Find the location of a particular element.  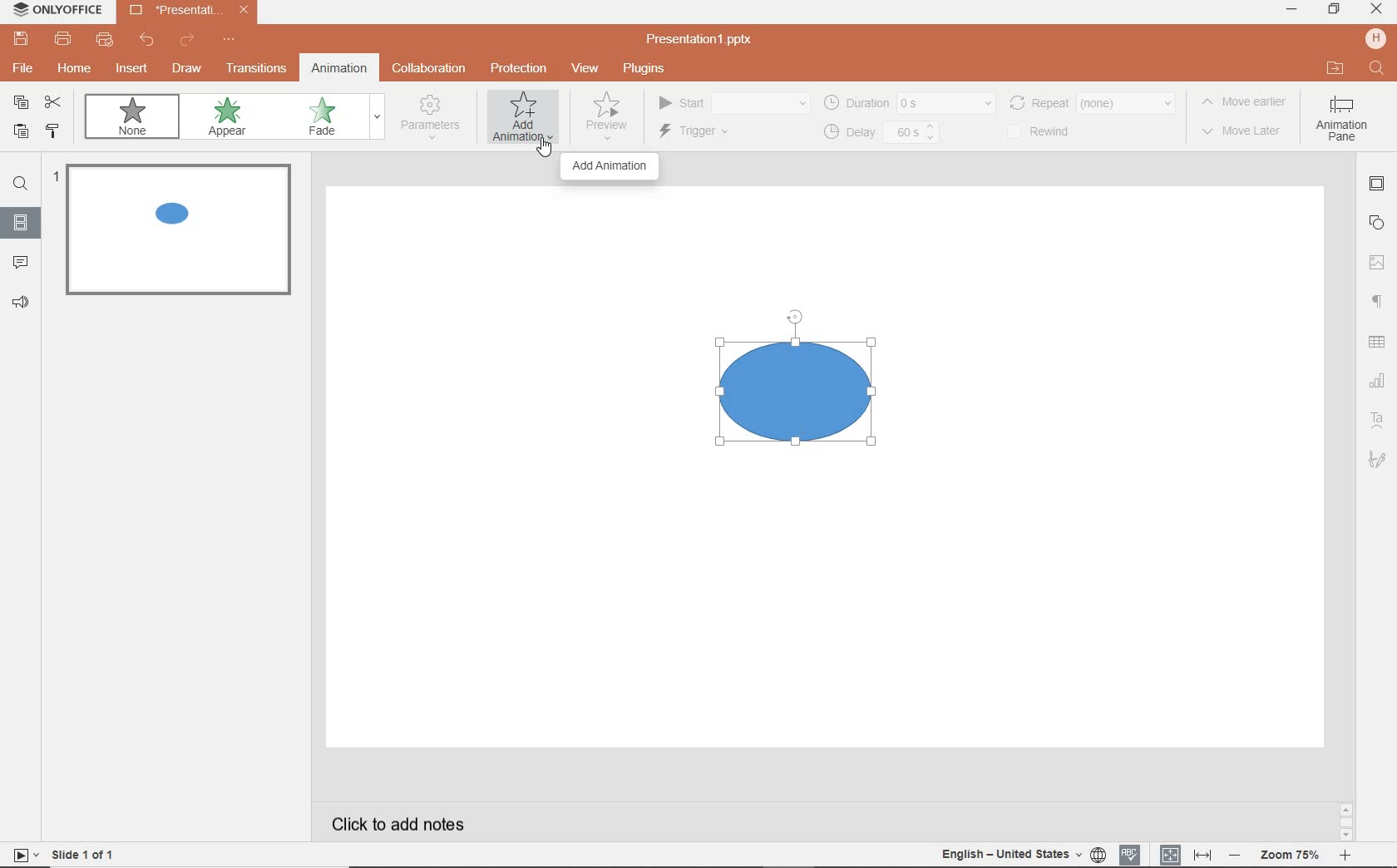

signature is located at coordinates (1377, 461).